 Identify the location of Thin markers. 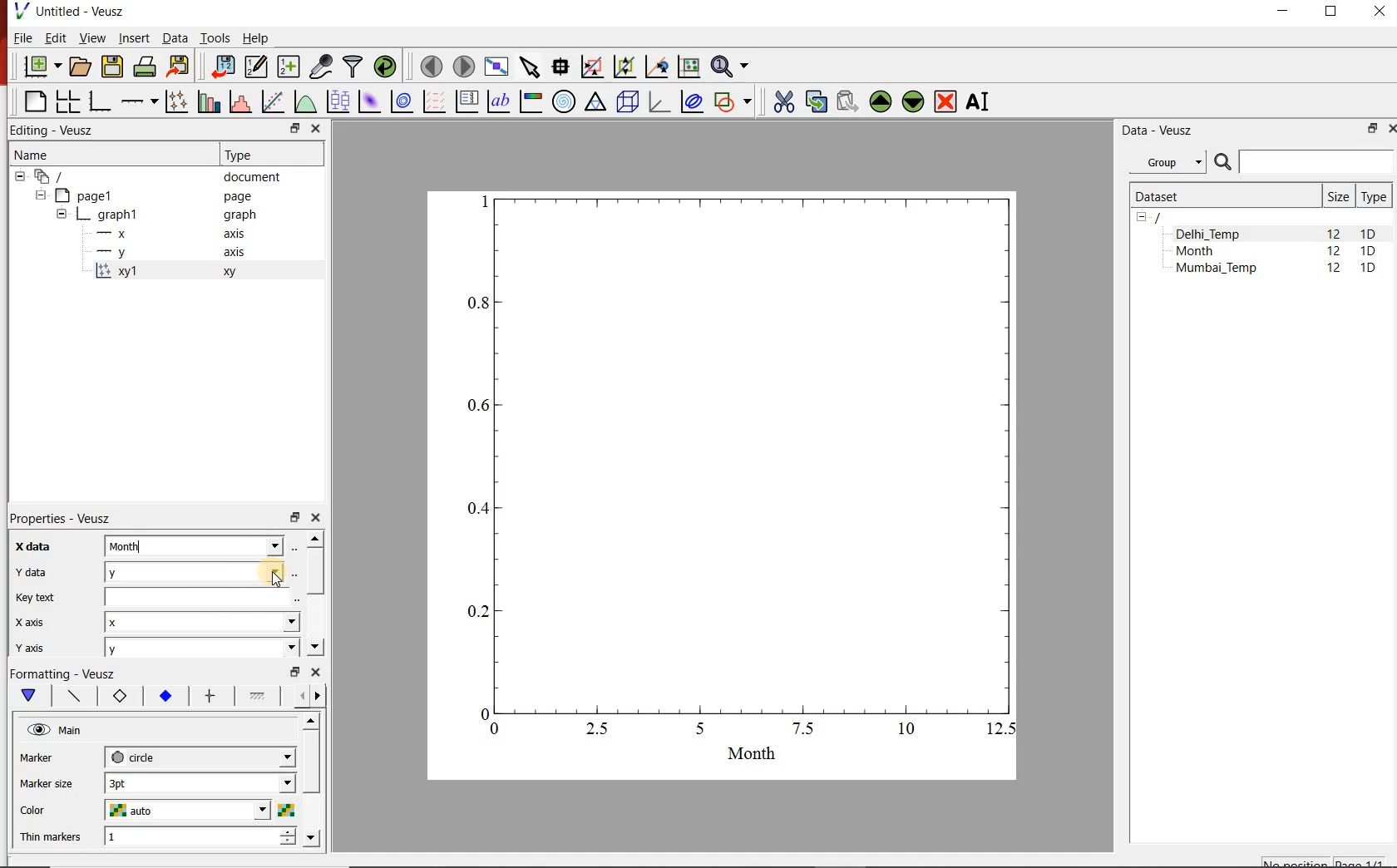
(49, 838).